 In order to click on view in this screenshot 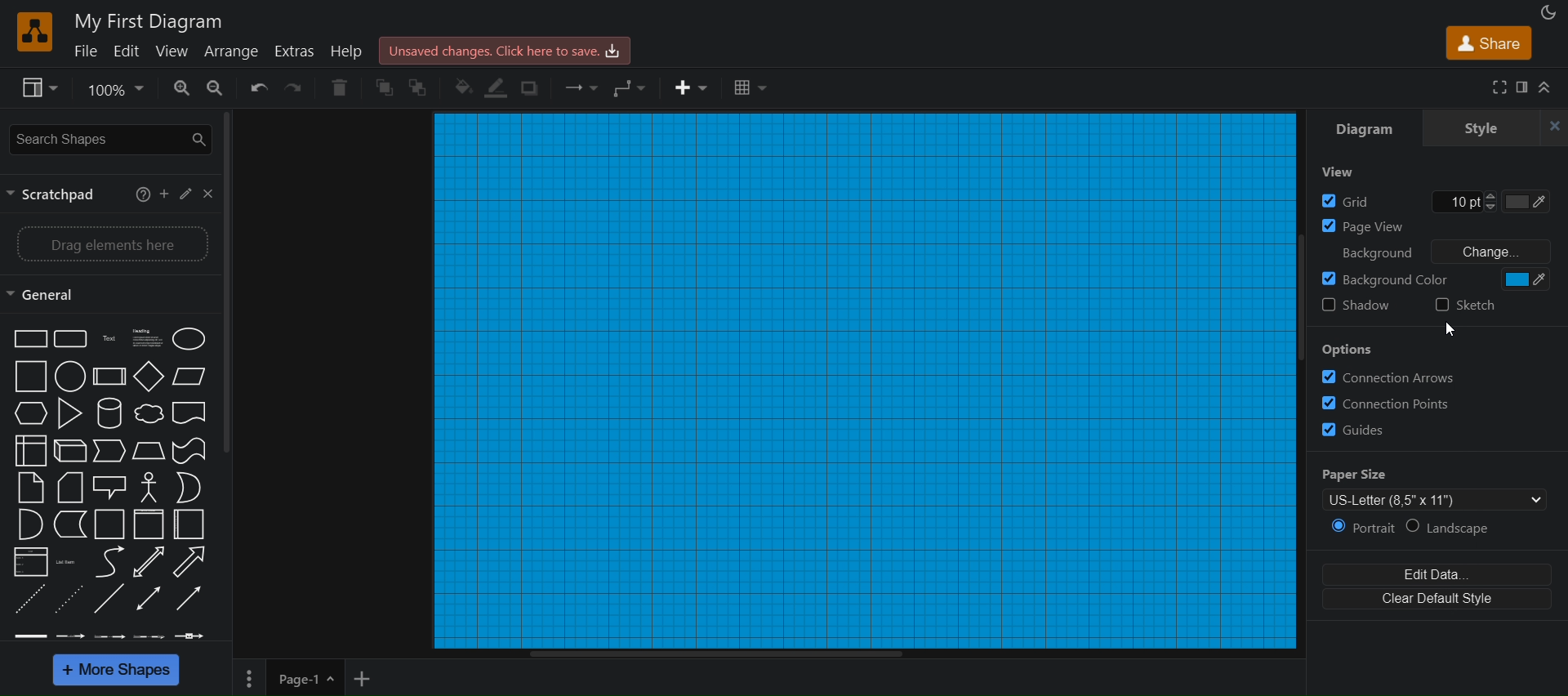, I will do `click(1340, 173)`.